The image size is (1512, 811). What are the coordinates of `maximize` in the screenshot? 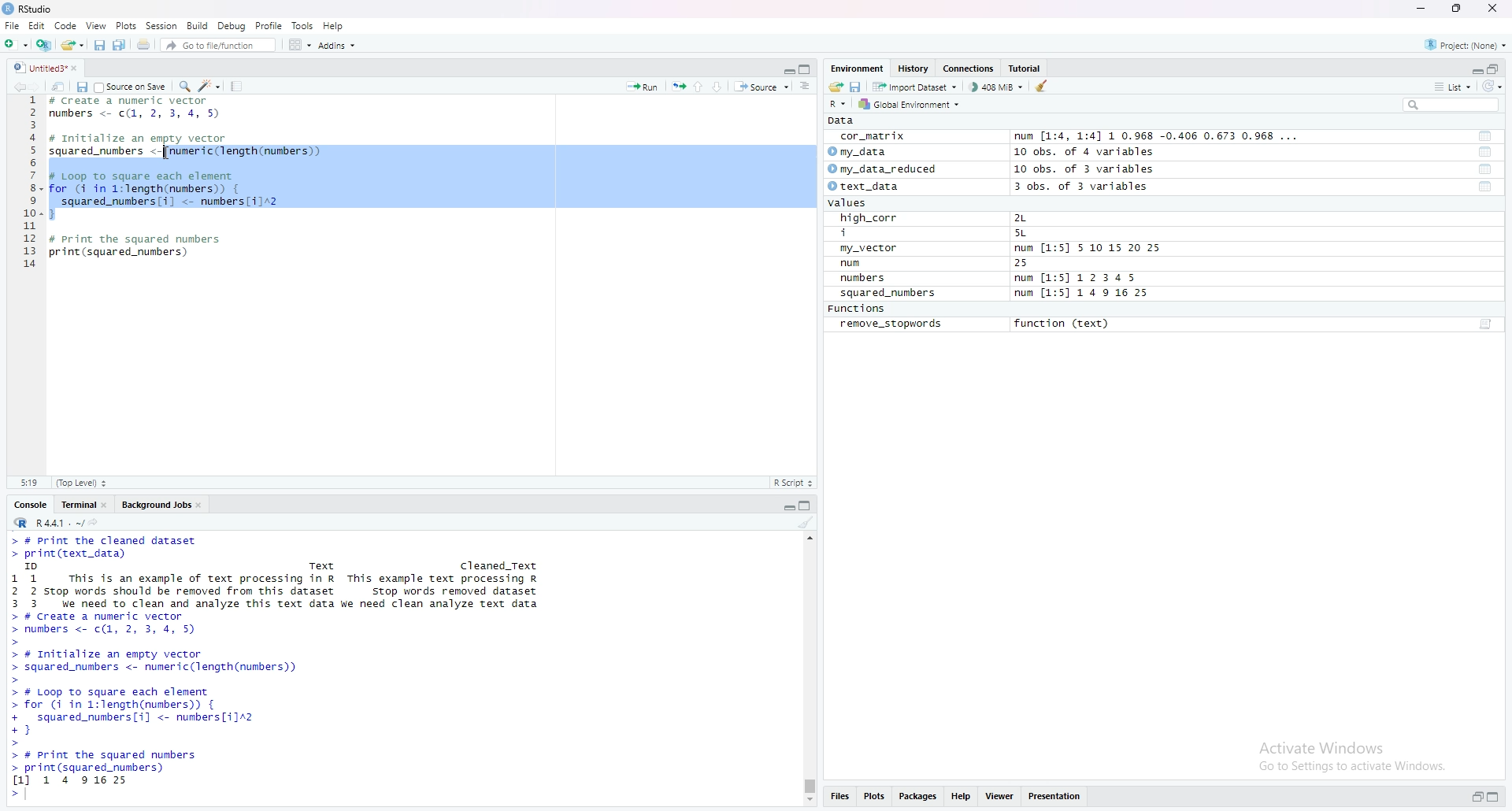 It's located at (807, 69).